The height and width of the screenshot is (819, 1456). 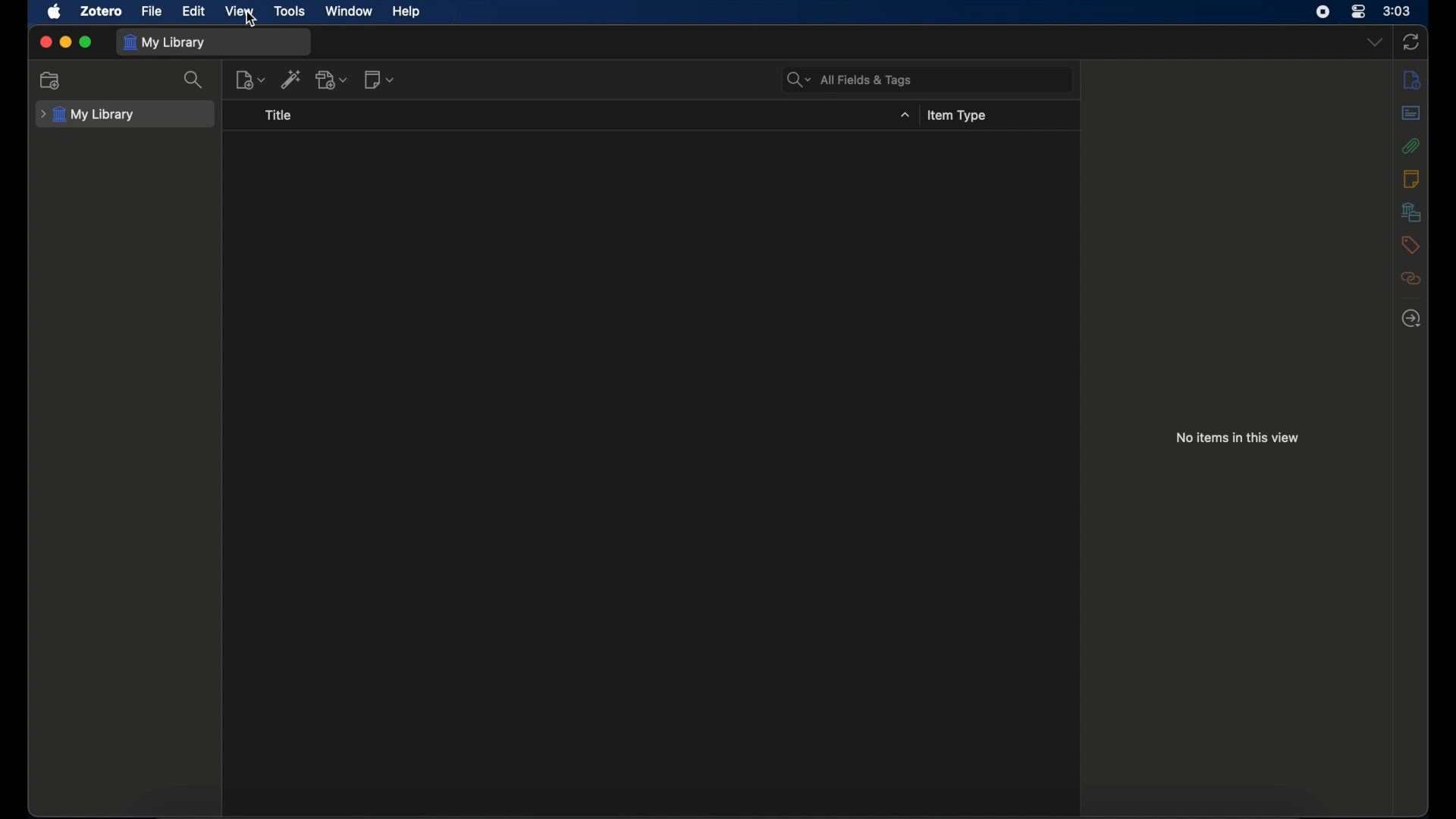 I want to click on sync, so click(x=1411, y=42).